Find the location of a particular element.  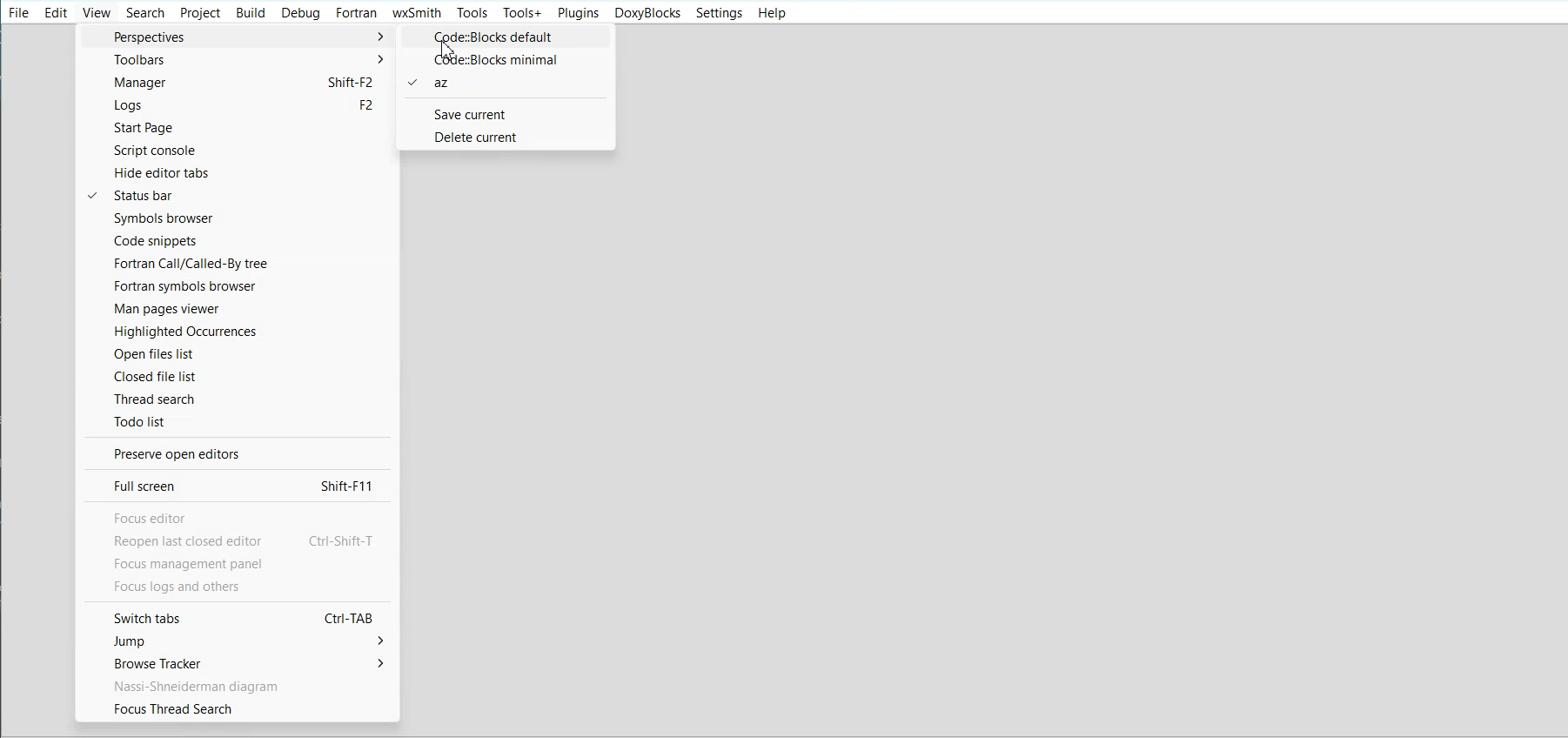

Build is located at coordinates (250, 12).